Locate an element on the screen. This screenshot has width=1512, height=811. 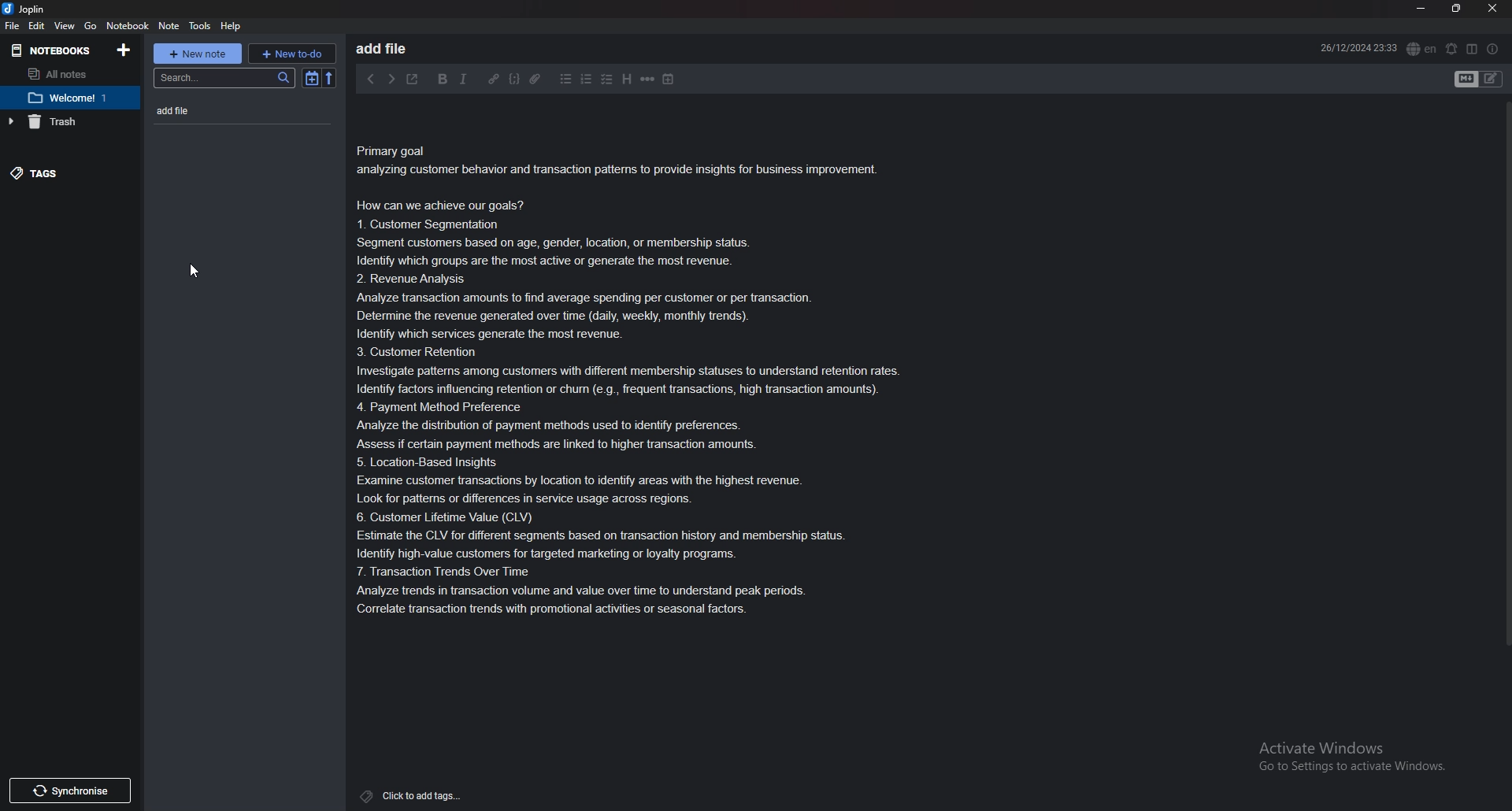
Title is located at coordinates (391, 48).